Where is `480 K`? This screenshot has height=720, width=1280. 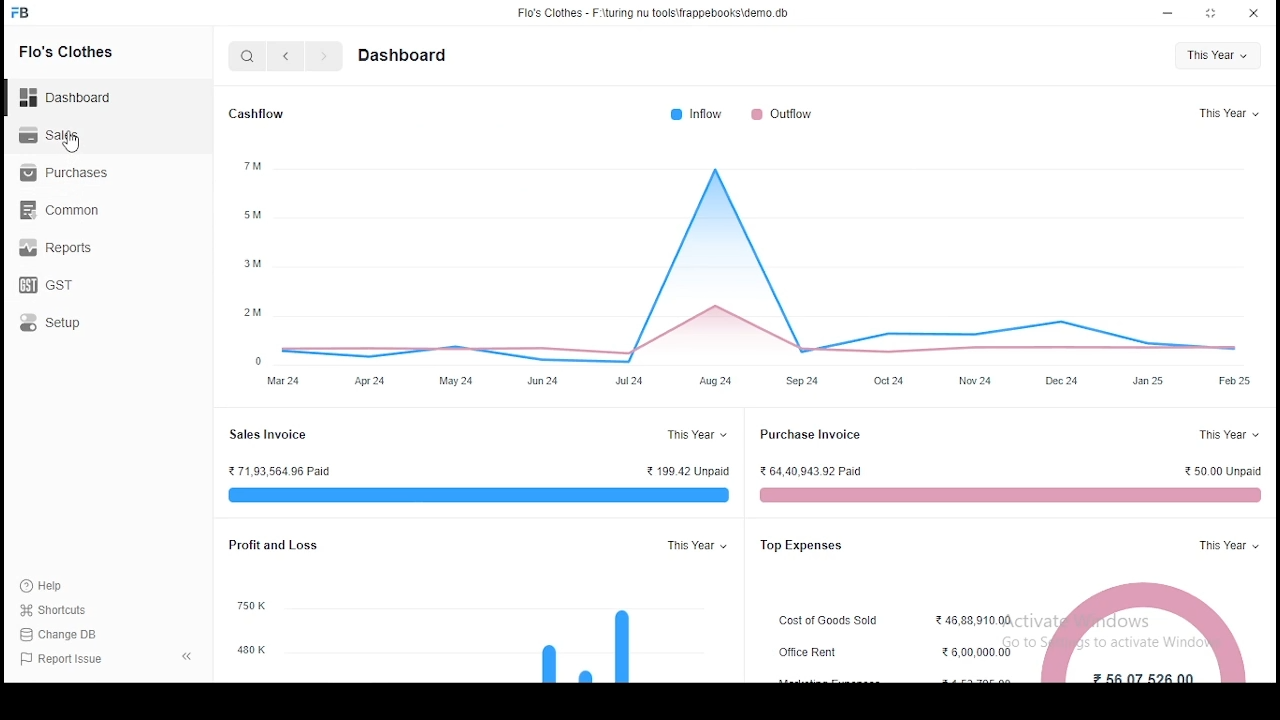
480 K is located at coordinates (251, 650).